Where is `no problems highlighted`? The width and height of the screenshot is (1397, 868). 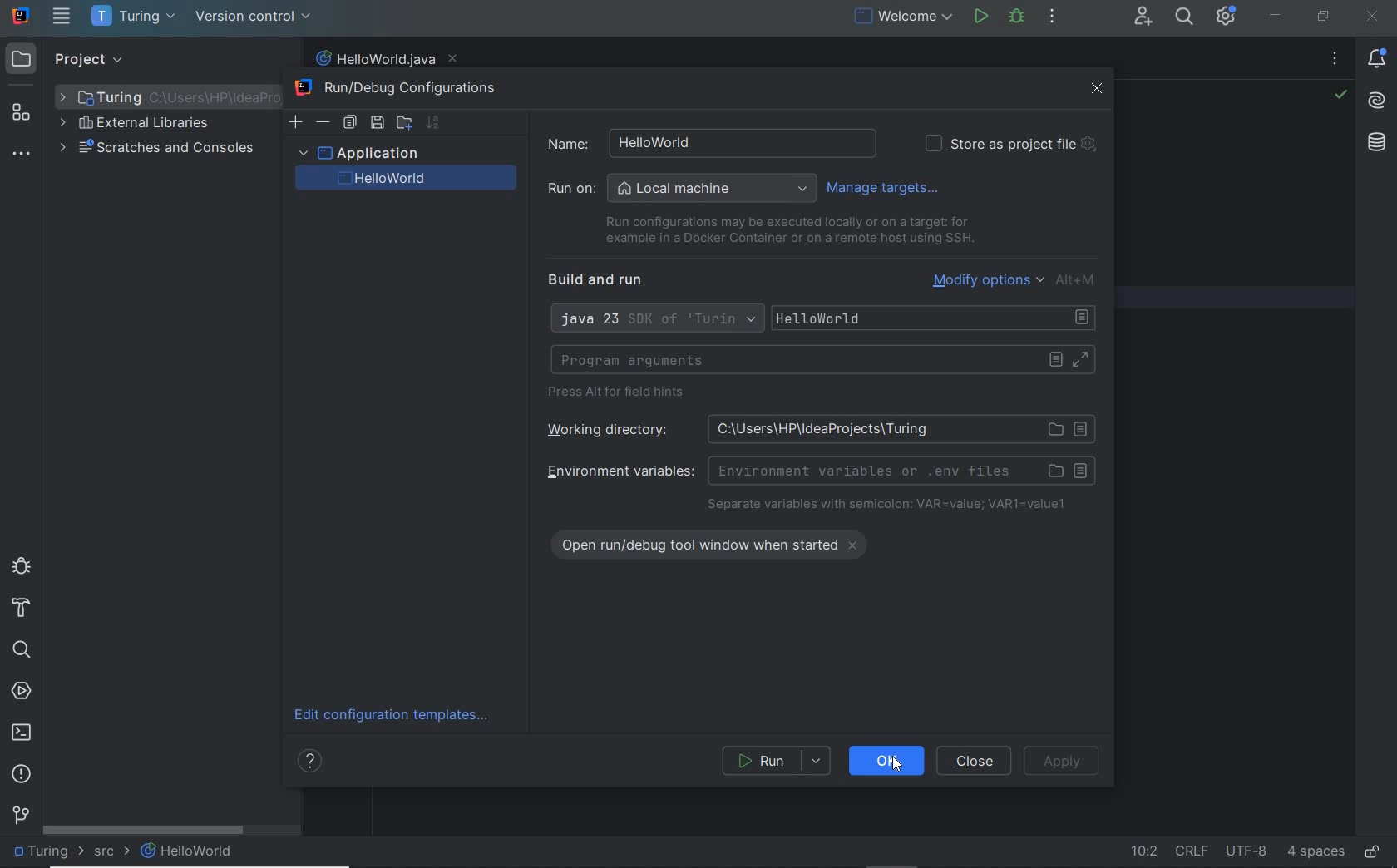 no problems highlighted is located at coordinates (1340, 95).